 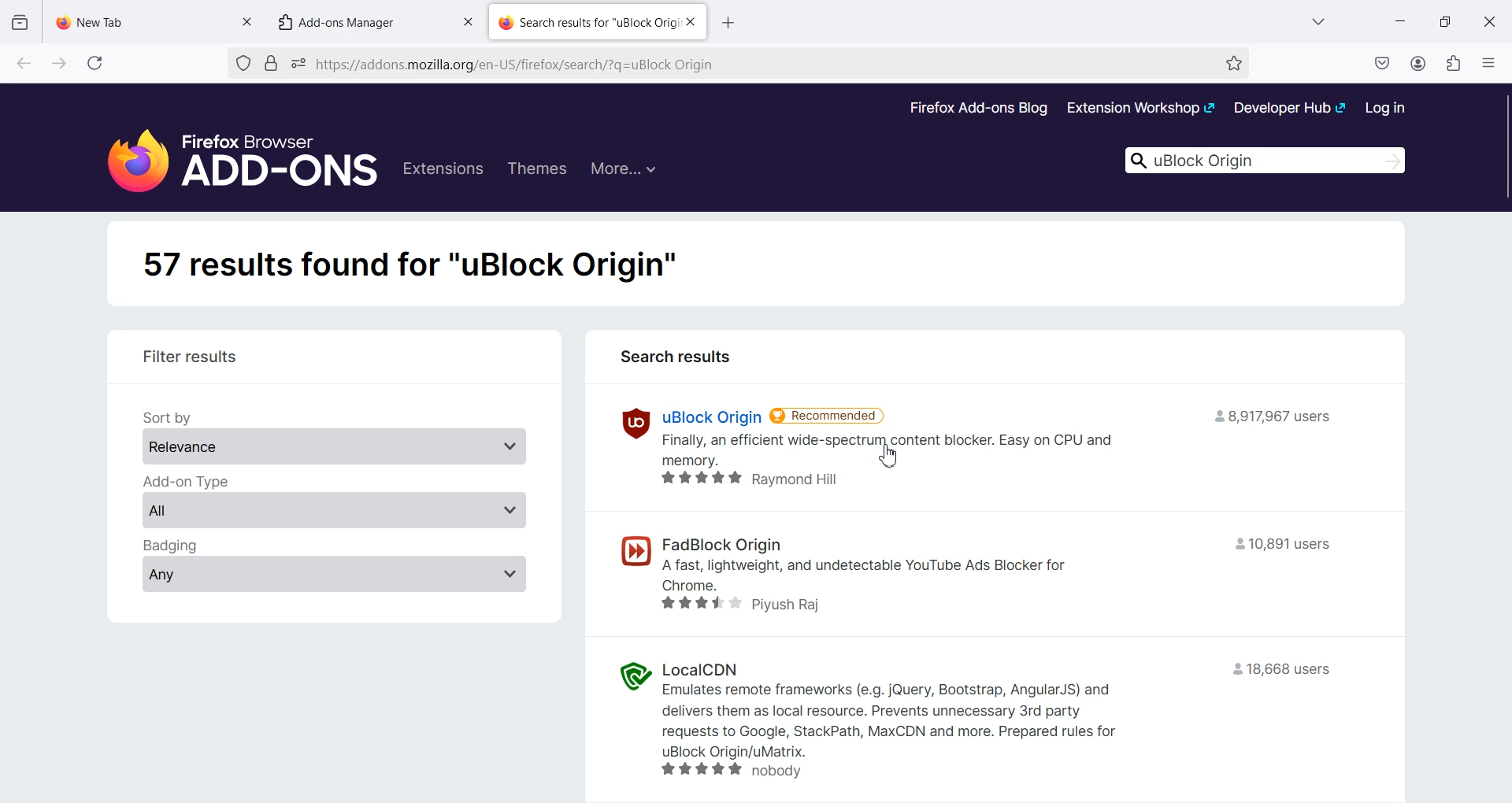 What do you see at coordinates (788, 606) in the screenshot?
I see `Piyush Raj` at bounding box center [788, 606].